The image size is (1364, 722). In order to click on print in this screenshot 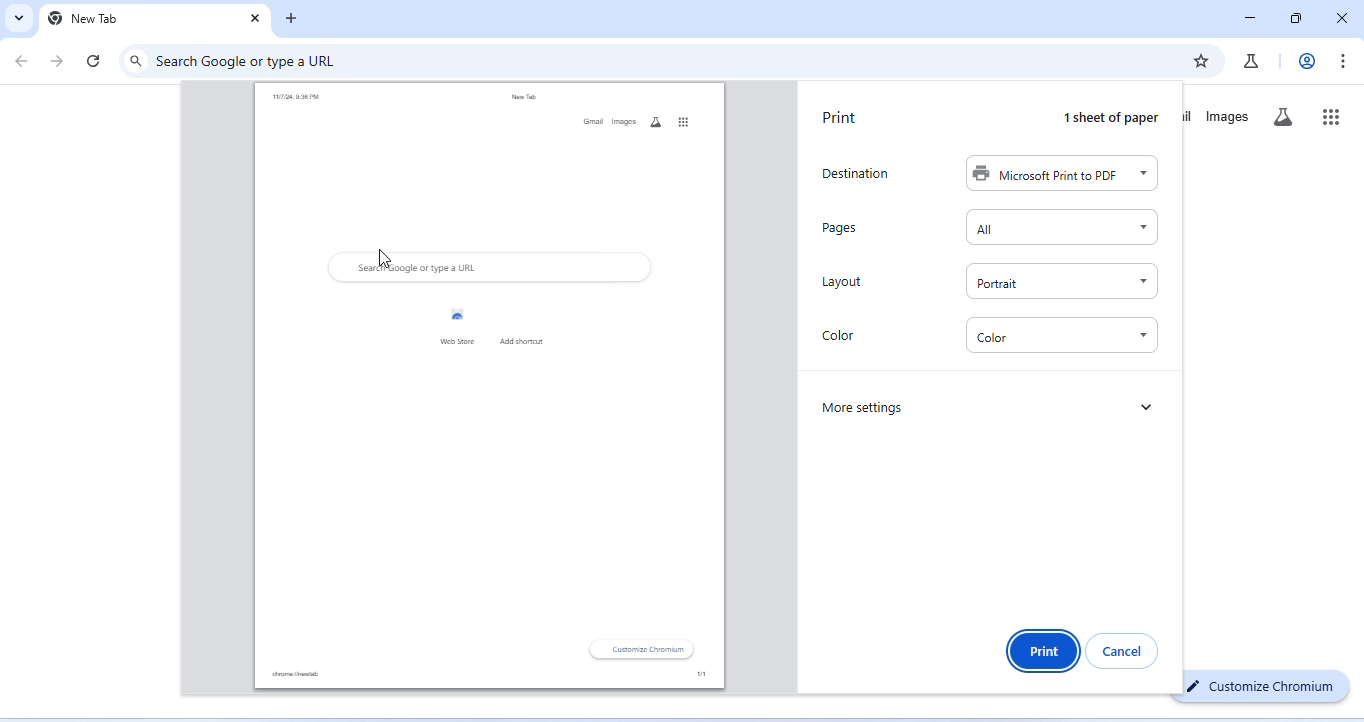, I will do `click(1043, 650)`.